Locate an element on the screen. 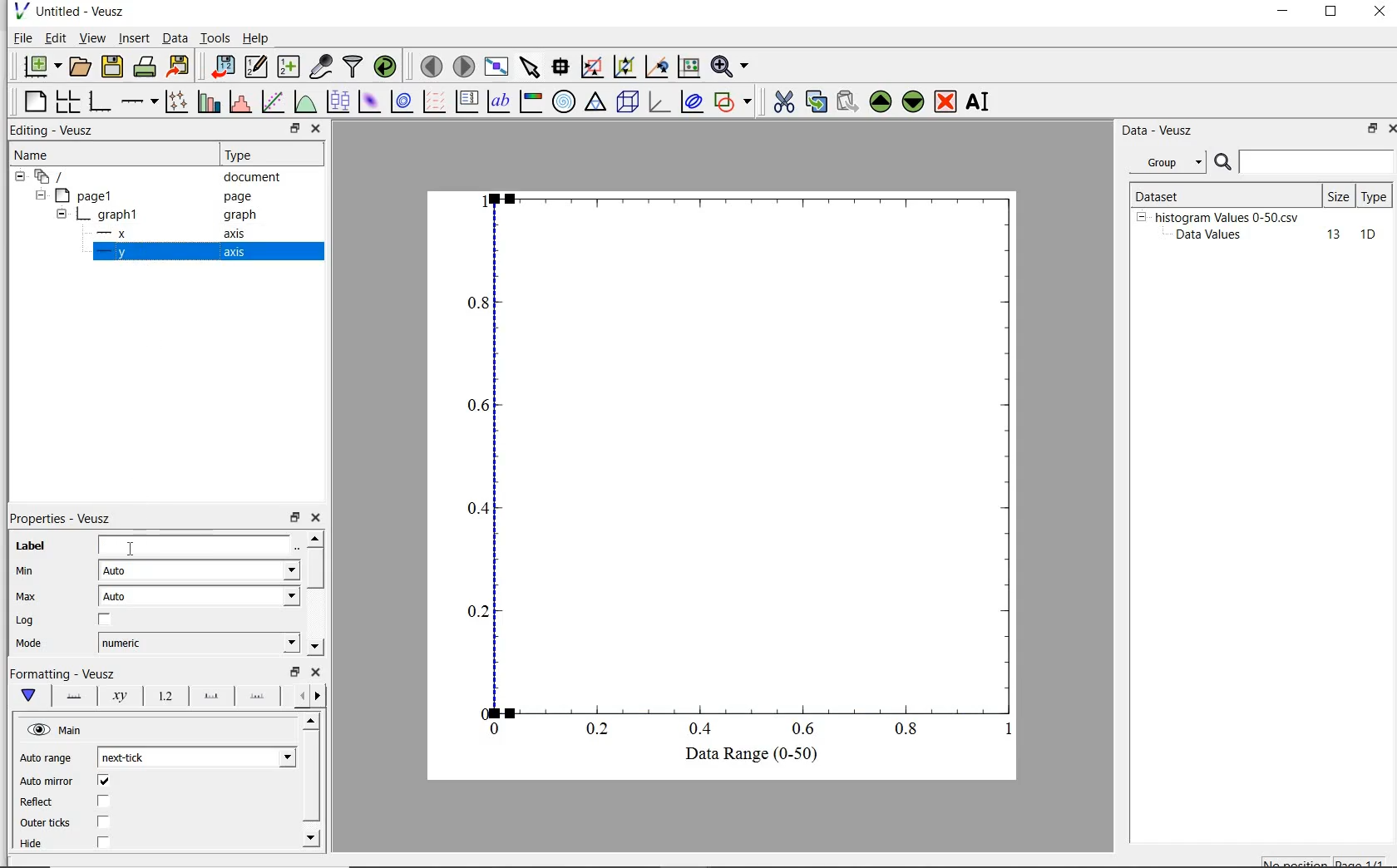  current document is located at coordinates (52, 177).